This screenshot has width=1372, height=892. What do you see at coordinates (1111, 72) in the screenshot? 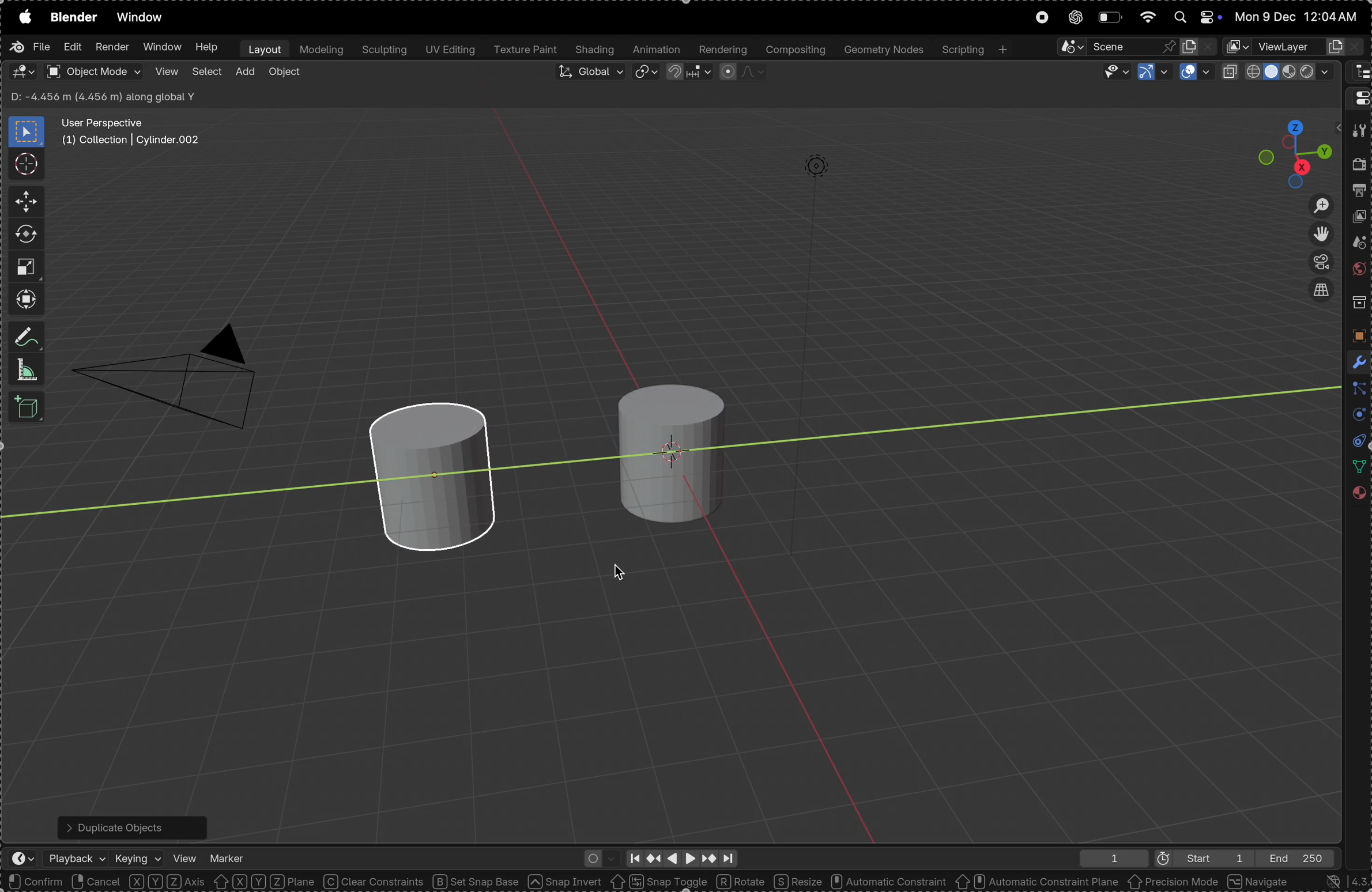
I see `visibility` at bounding box center [1111, 72].